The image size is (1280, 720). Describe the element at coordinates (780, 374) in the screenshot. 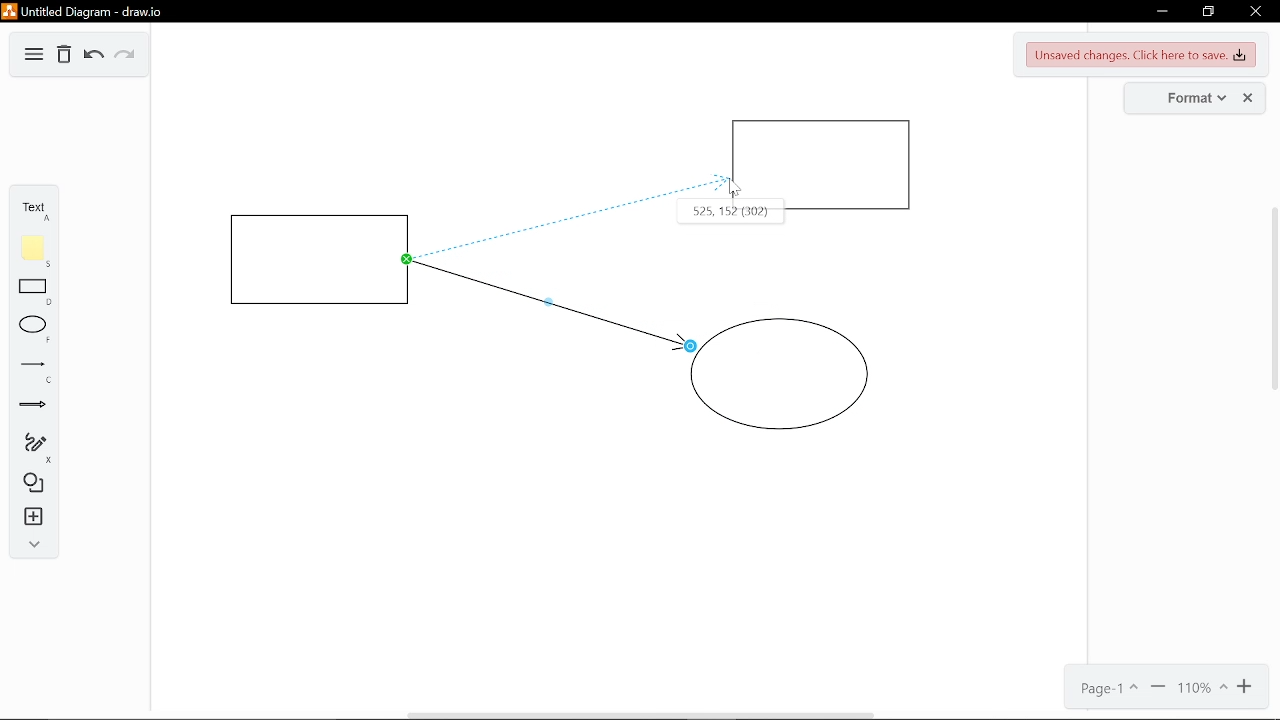

I see `circle` at that location.